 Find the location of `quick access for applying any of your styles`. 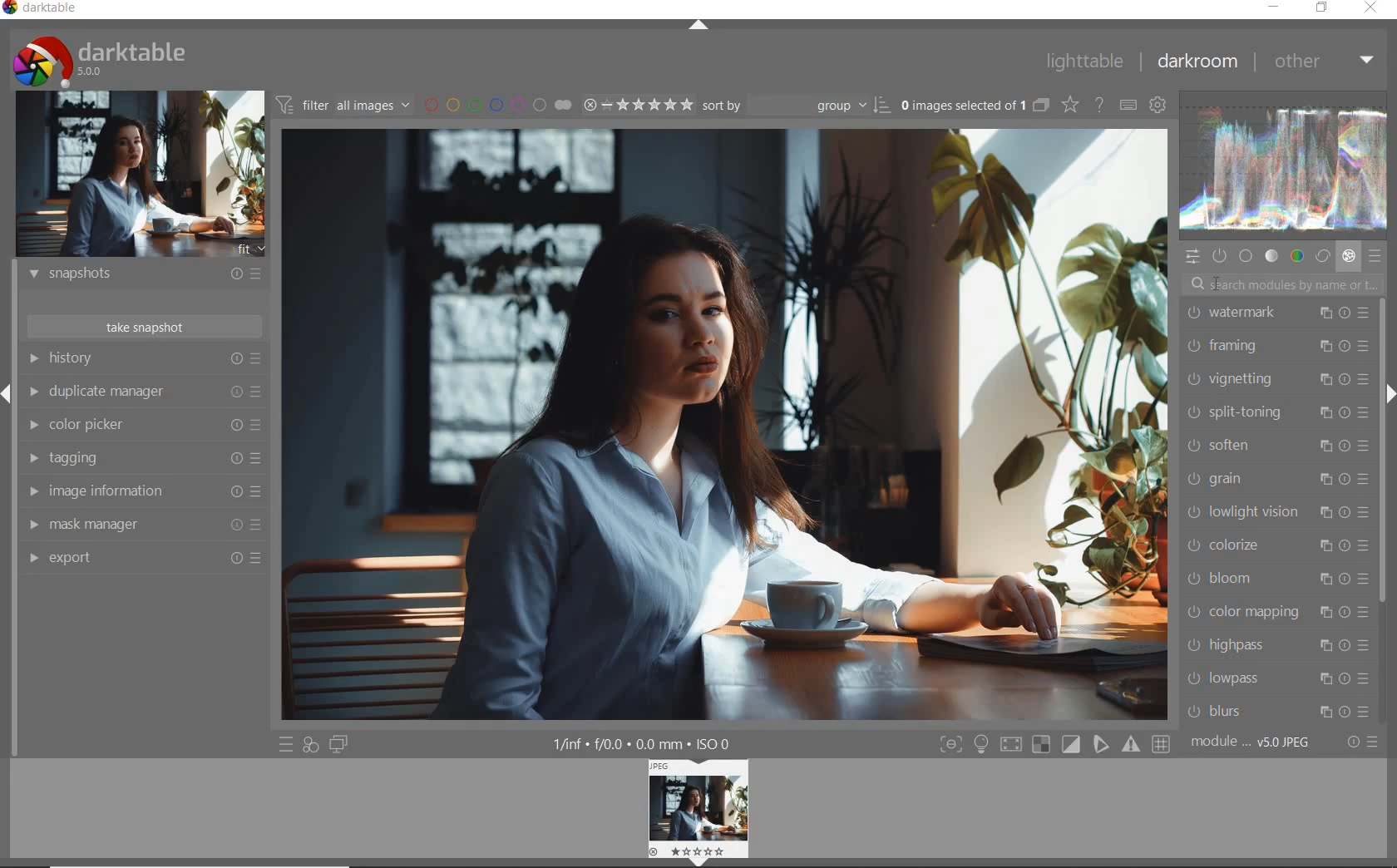

quick access for applying any of your styles is located at coordinates (309, 746).